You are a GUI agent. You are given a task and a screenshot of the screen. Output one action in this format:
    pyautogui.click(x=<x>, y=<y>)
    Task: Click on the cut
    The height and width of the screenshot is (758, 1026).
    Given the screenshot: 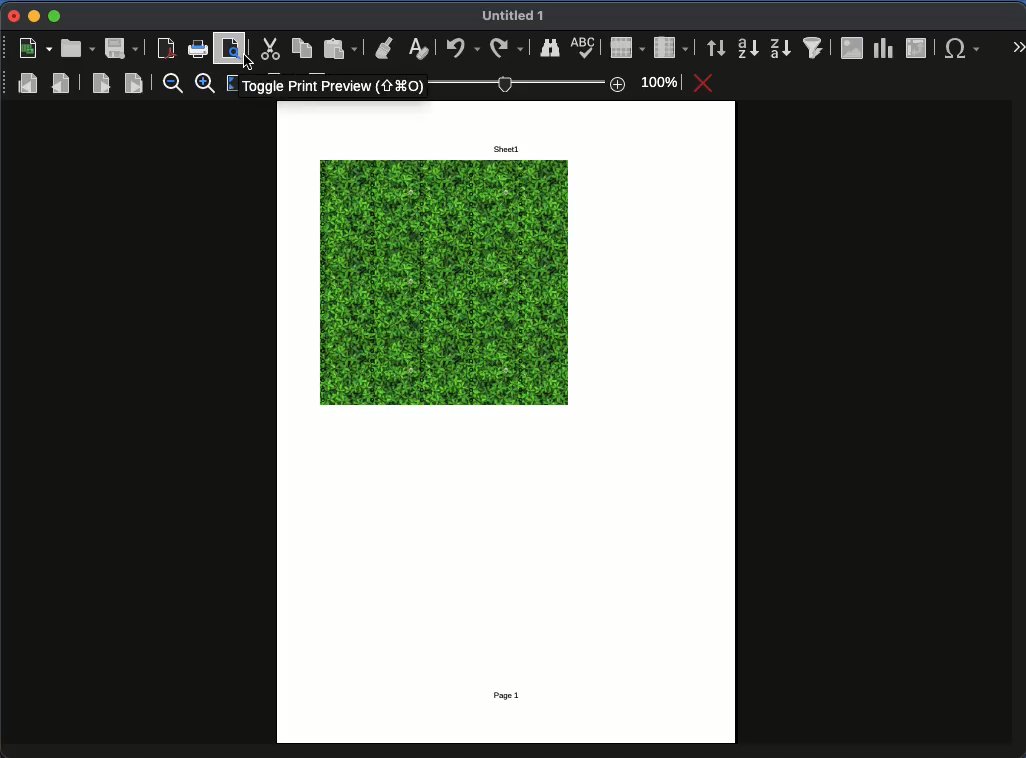 What is the action you would take?
    pyautogui.click(x=269, y=49)
    